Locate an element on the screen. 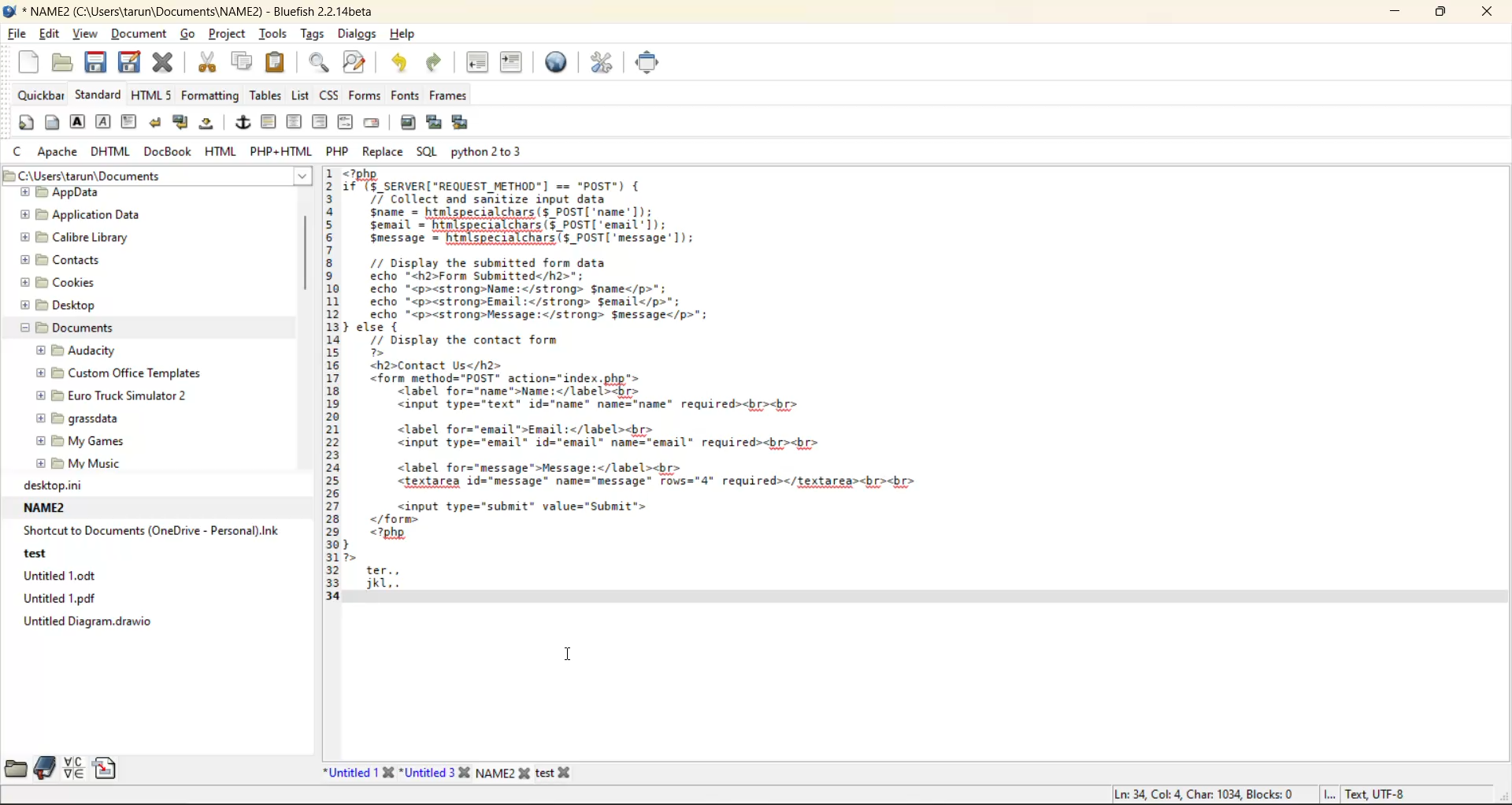 The image size is (1512, 805). insert image is located at coordinates (412, 124).